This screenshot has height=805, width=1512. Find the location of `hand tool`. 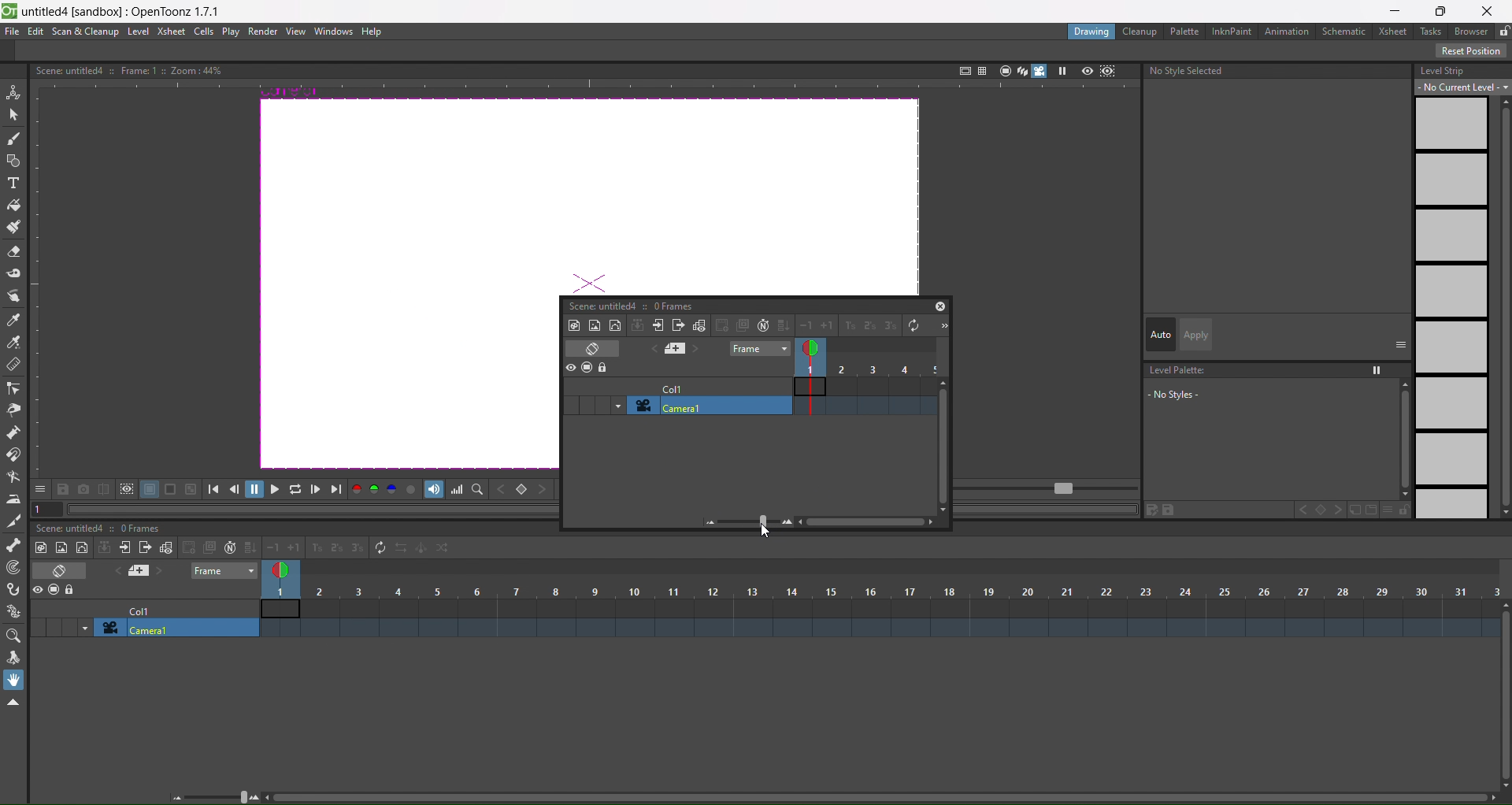

hand tool is located at coordinates (17, 680).